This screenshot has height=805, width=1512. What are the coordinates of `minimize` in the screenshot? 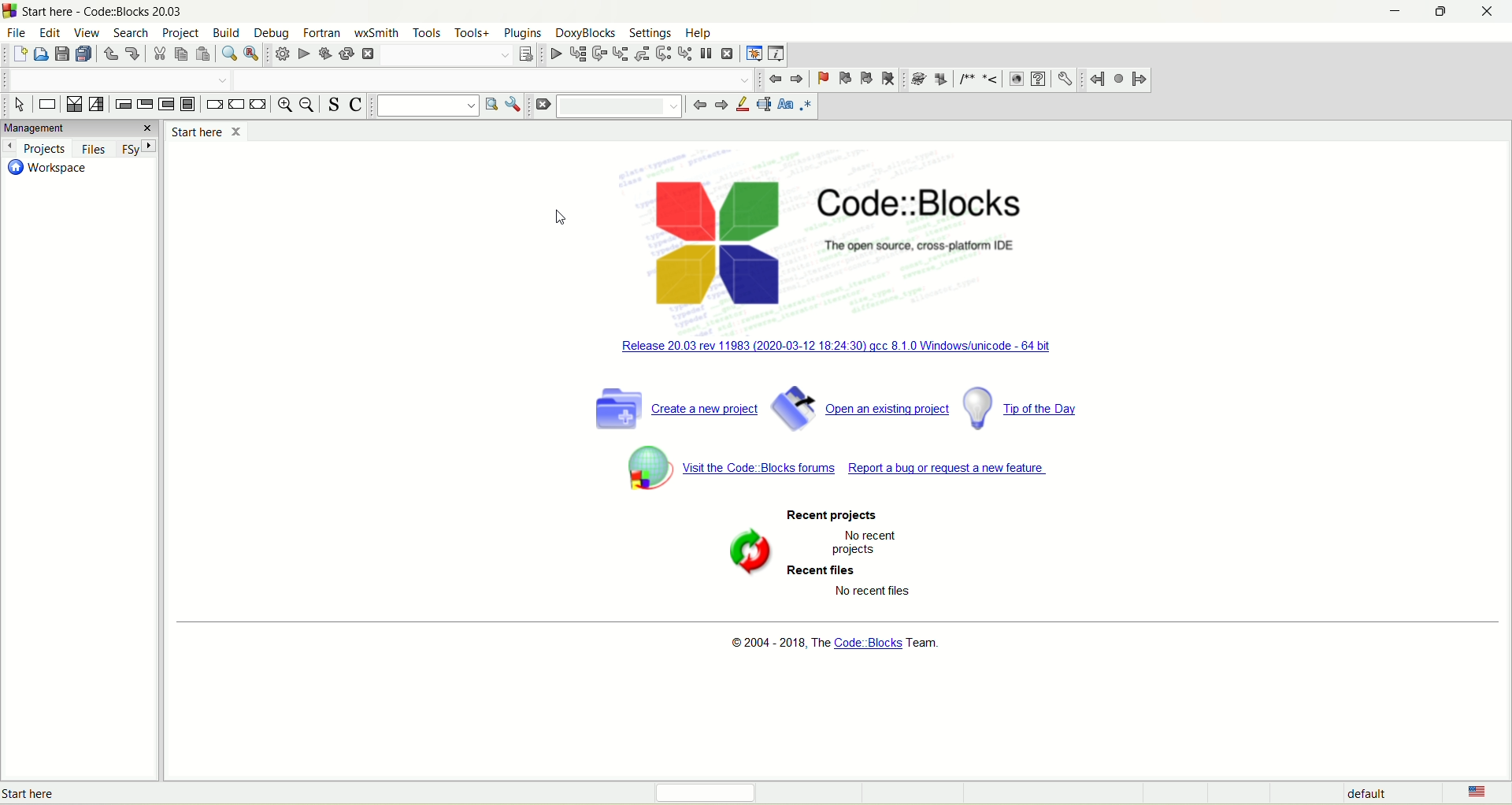 It's located at (1395, 12).